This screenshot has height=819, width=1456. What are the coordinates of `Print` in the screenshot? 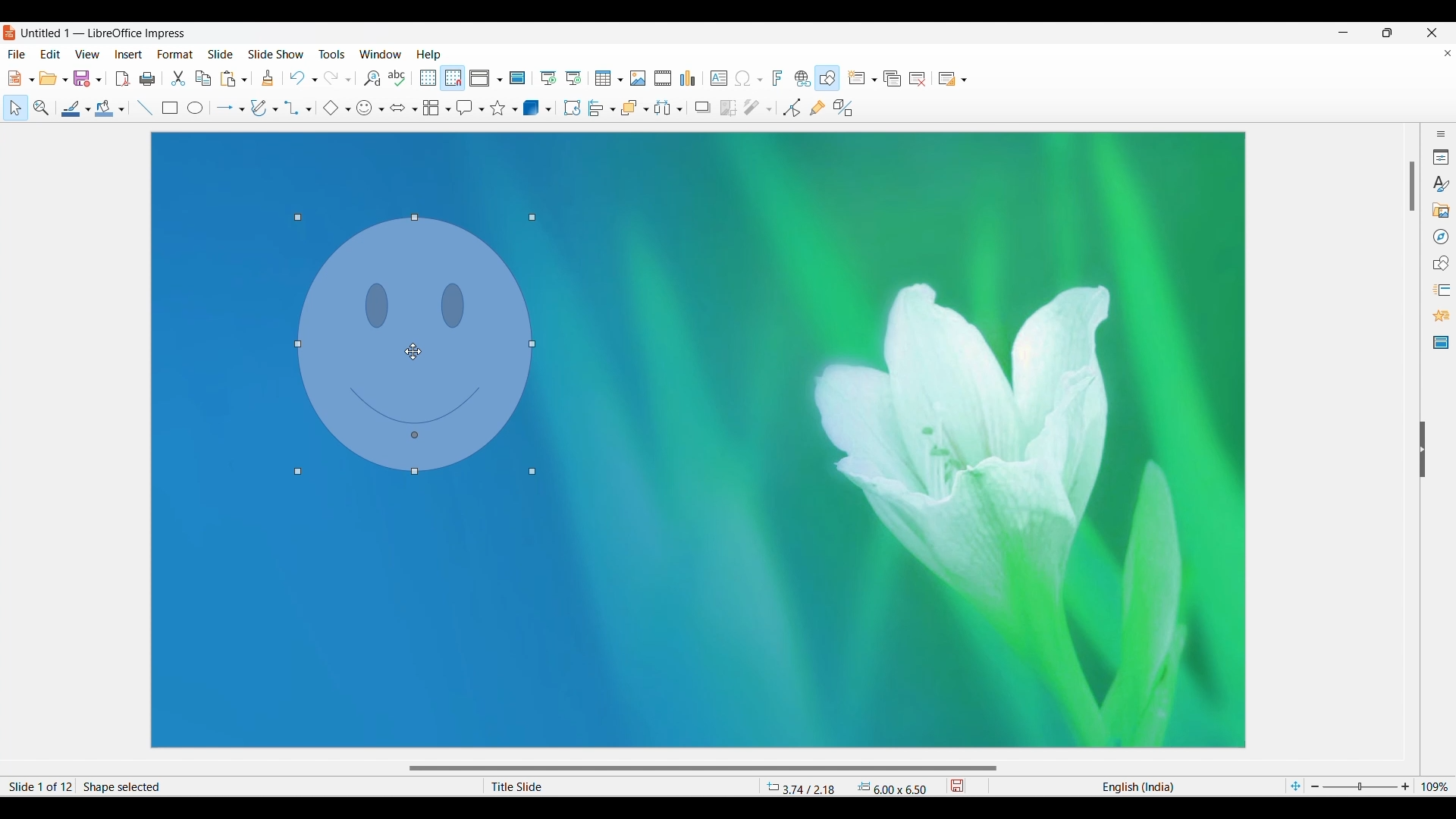 It's located at (147, 79).